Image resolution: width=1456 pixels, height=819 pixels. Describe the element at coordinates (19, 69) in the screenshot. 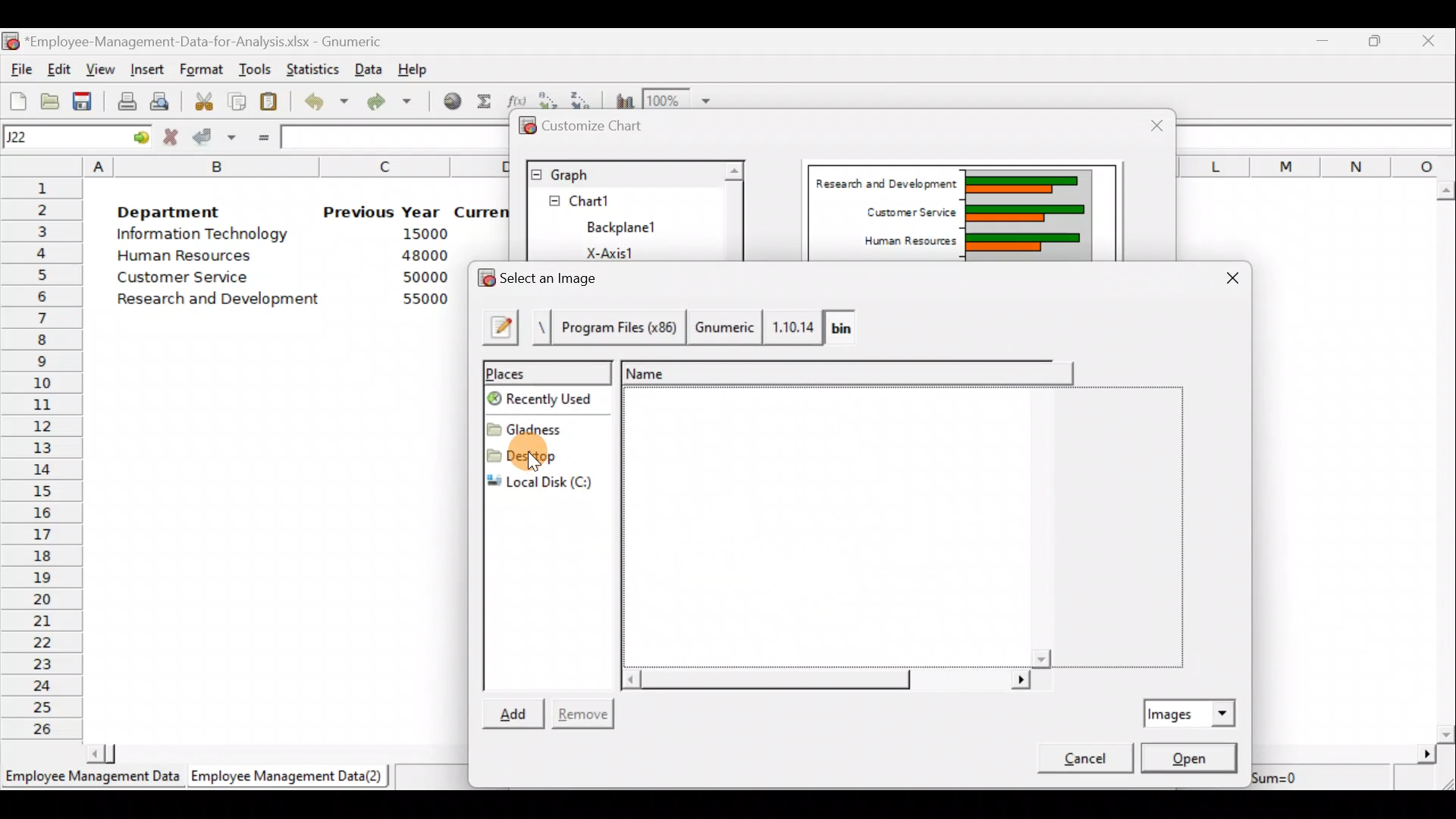

I see `File` at that location.